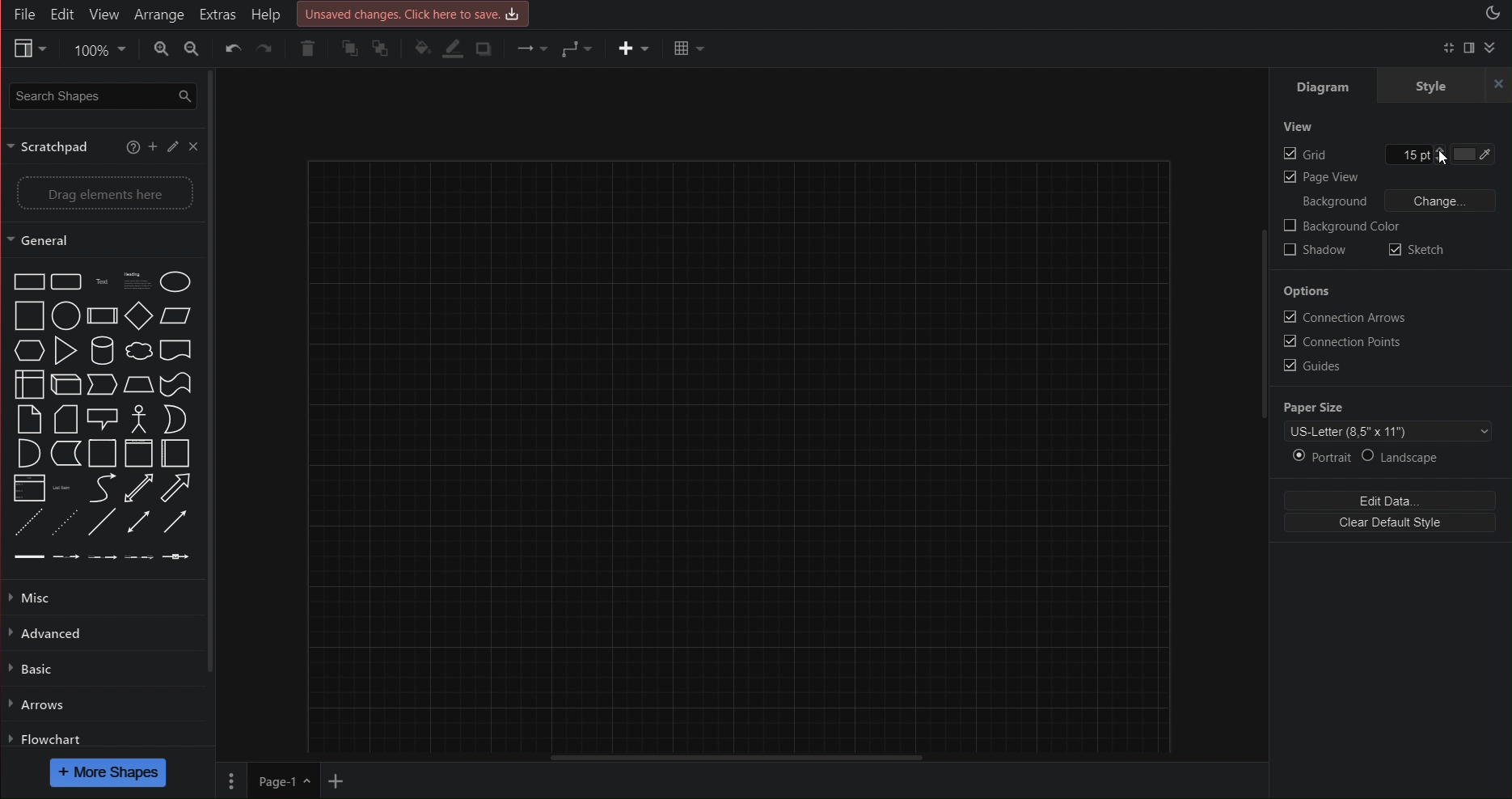 This screenshot has height=799, width=1512. What do you see at coordinates (27, 49) in the screenshot?
I see `View` at bounding box center [27, 49].